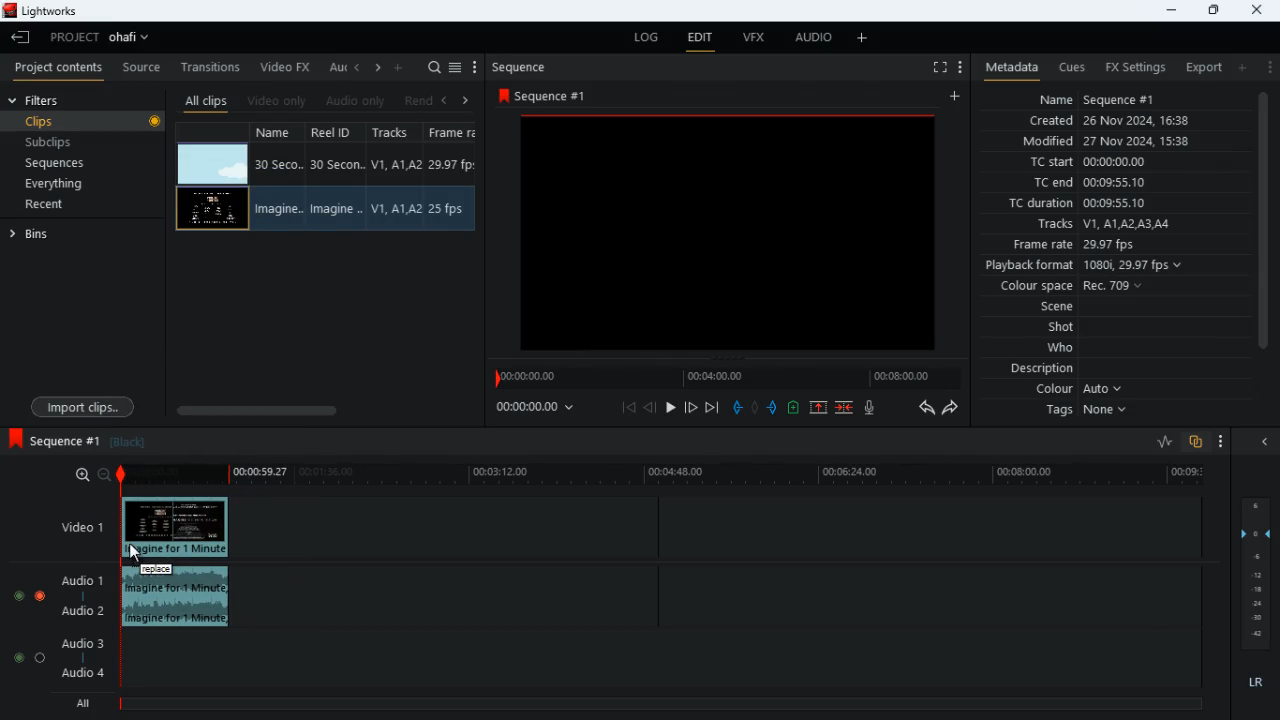 This screenshot has height=720, width=1280. I want to click on tc end, so click(1097, 183).